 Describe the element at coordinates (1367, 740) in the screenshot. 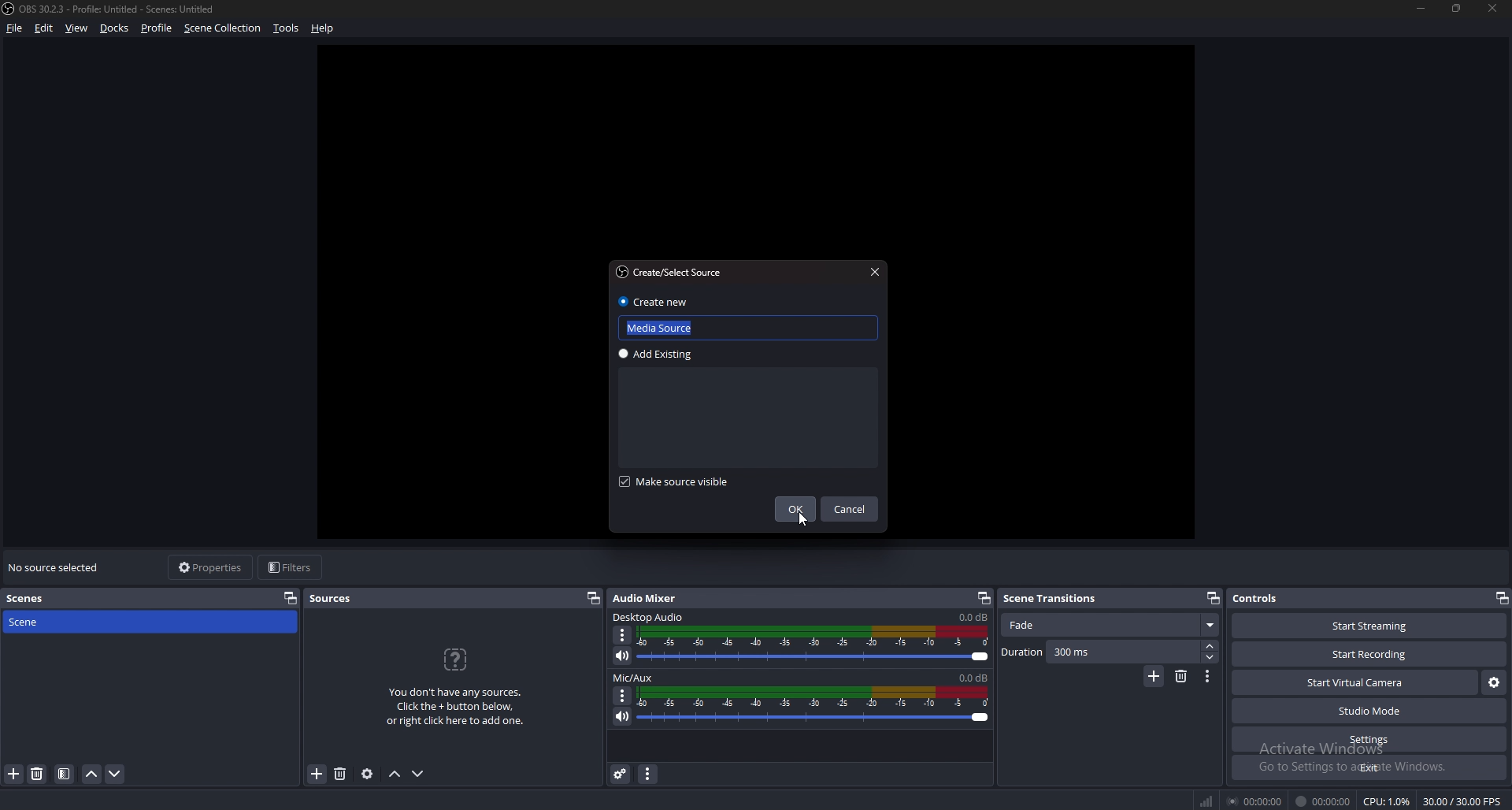

I see `settings` at that location.